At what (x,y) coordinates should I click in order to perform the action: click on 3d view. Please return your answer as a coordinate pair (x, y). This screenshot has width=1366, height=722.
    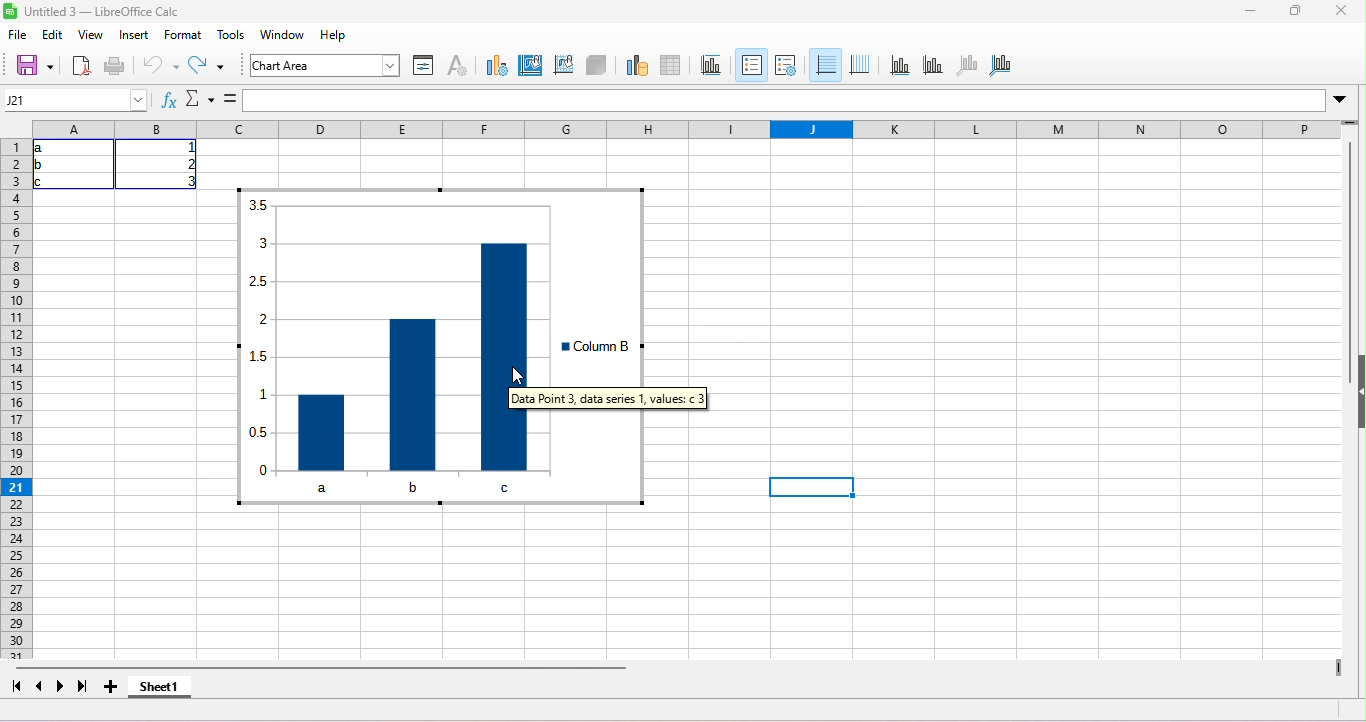
    Looking at the image, I should click on (596, 67).